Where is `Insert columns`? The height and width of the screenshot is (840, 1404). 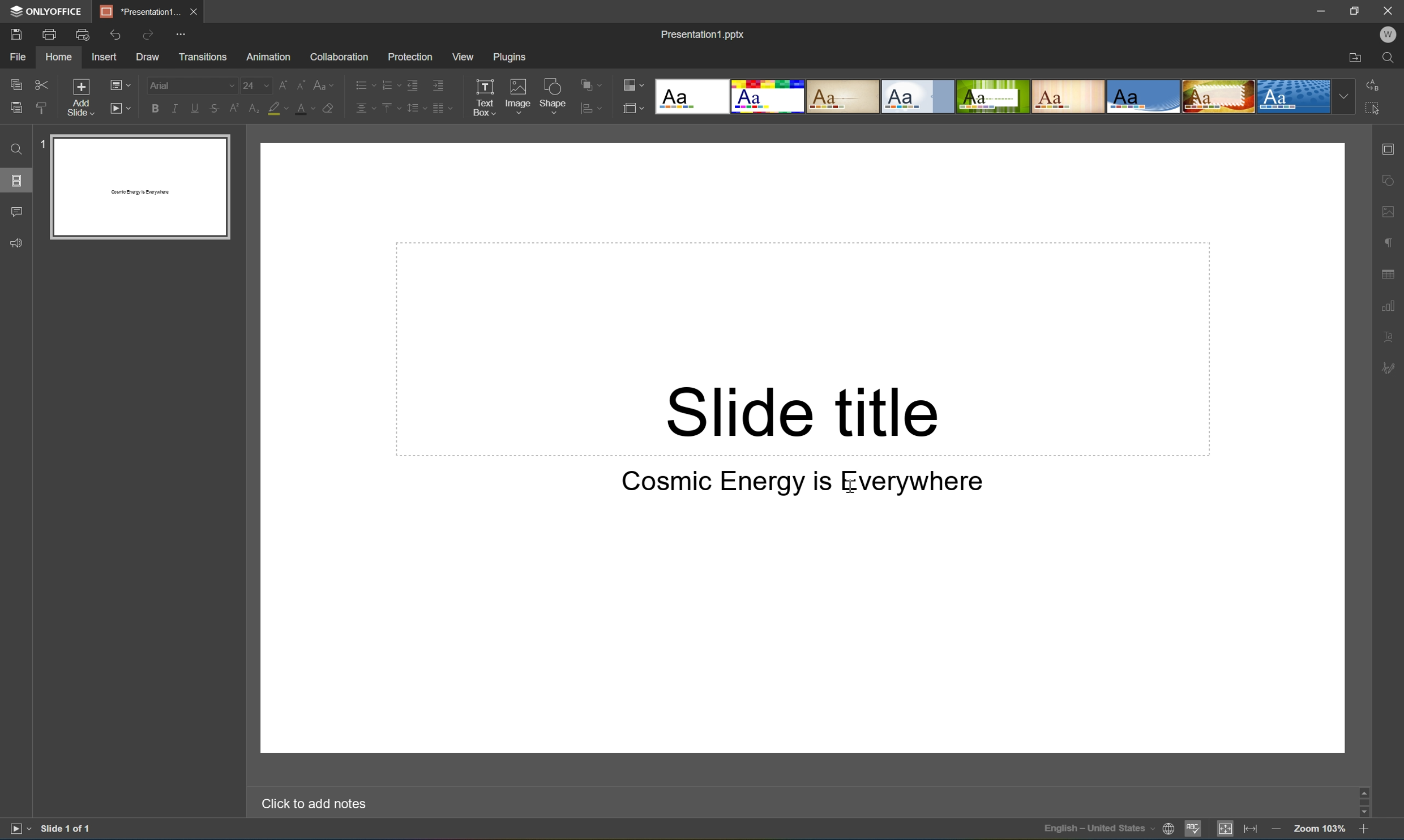 Insert columns is located at coordinates (442, 108).